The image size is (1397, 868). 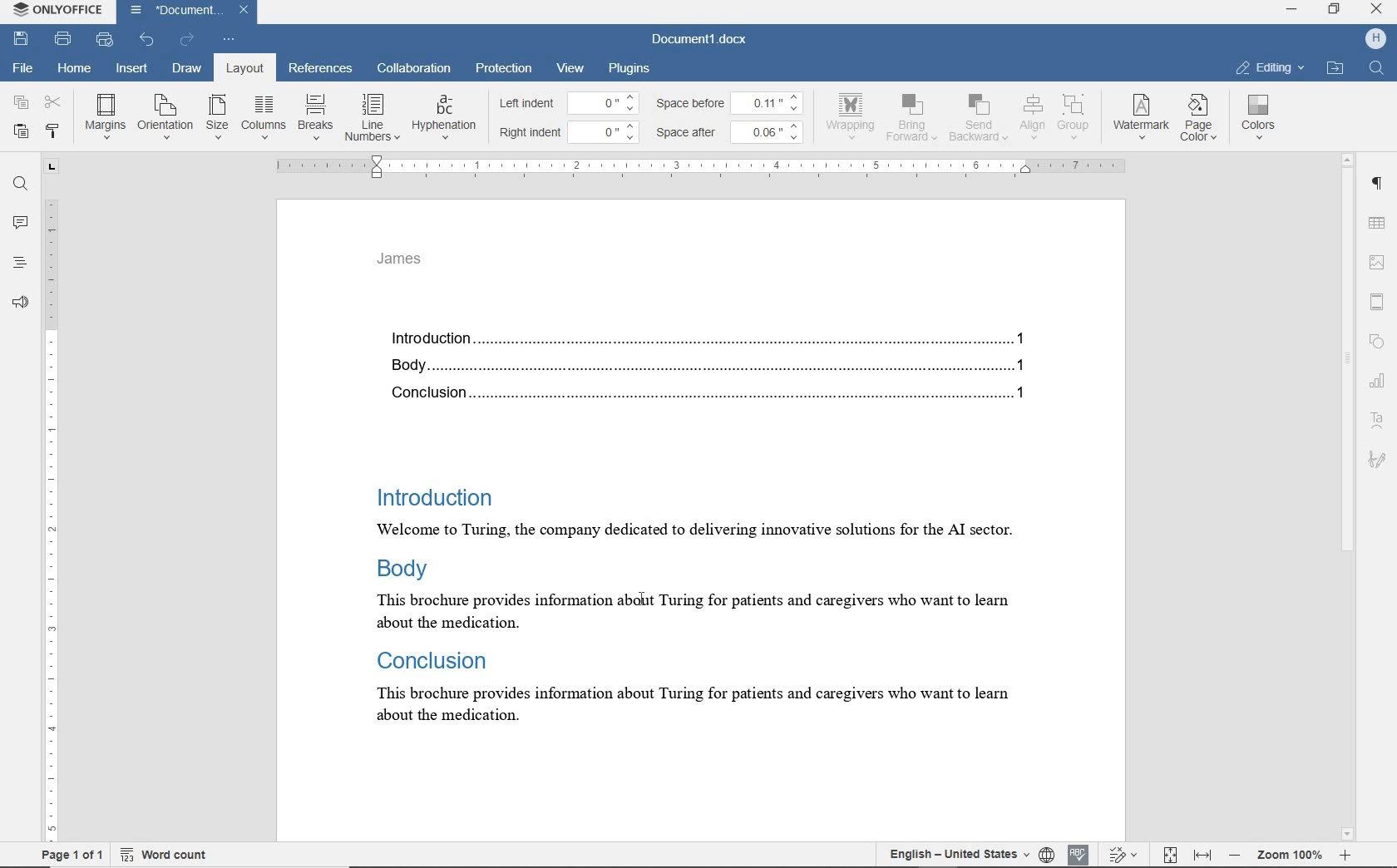 I want to click on set document language, so click(x=1046, y=852).